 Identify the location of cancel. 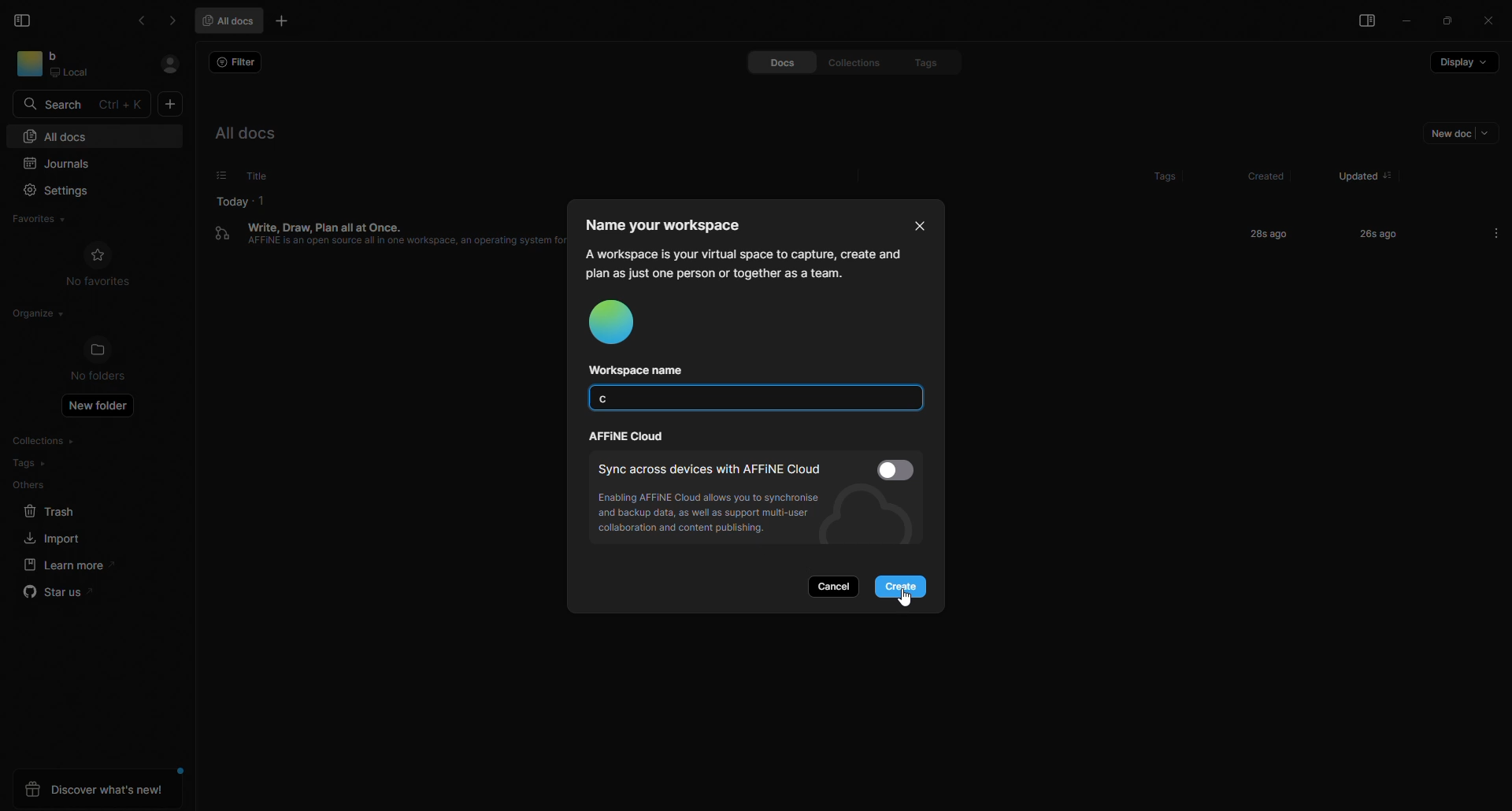
(838, 586).